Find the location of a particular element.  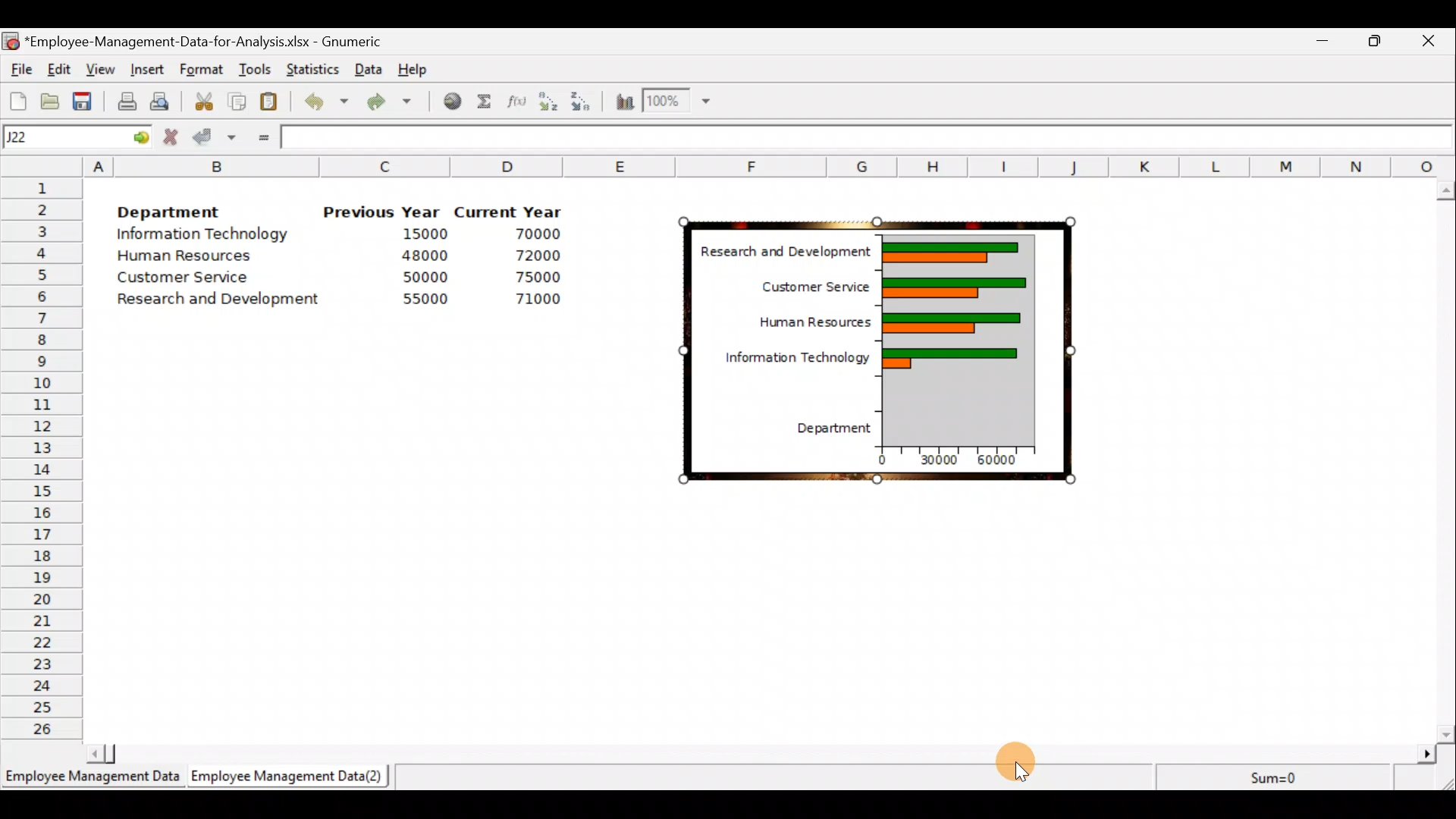

Cell name J22 is located at coordinates (58, 137).